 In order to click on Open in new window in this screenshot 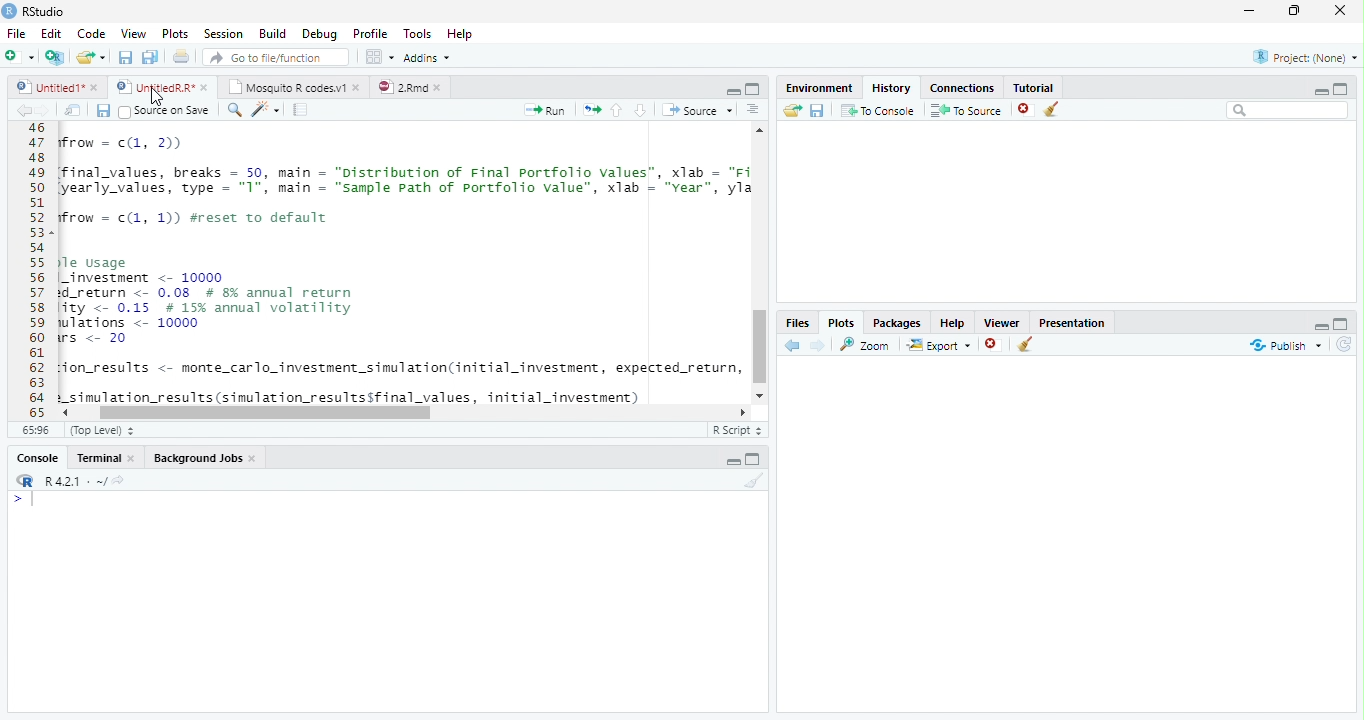, I will do `click(73, 110)`.